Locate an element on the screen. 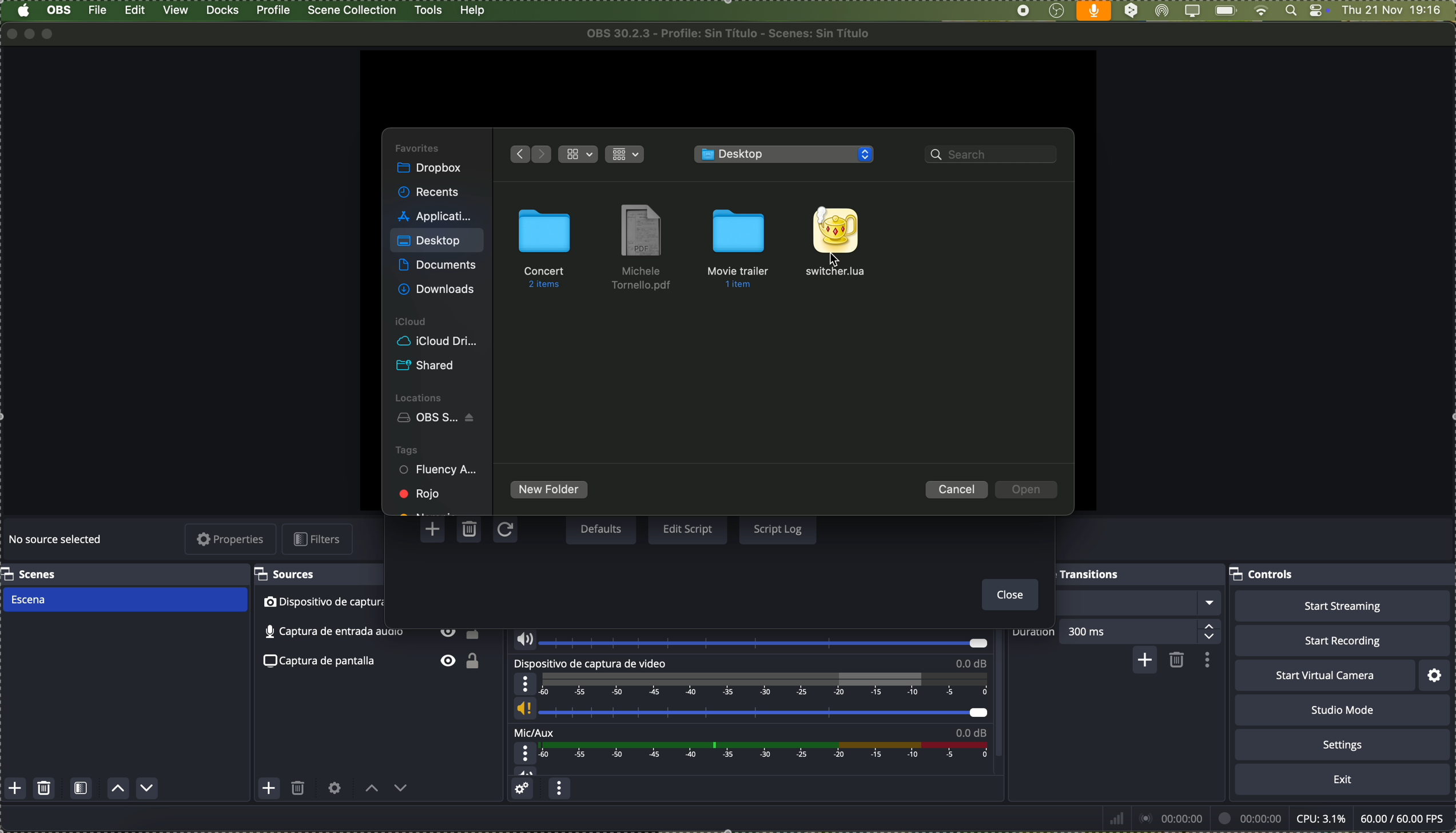  applications is located at coordinates (435, 215).